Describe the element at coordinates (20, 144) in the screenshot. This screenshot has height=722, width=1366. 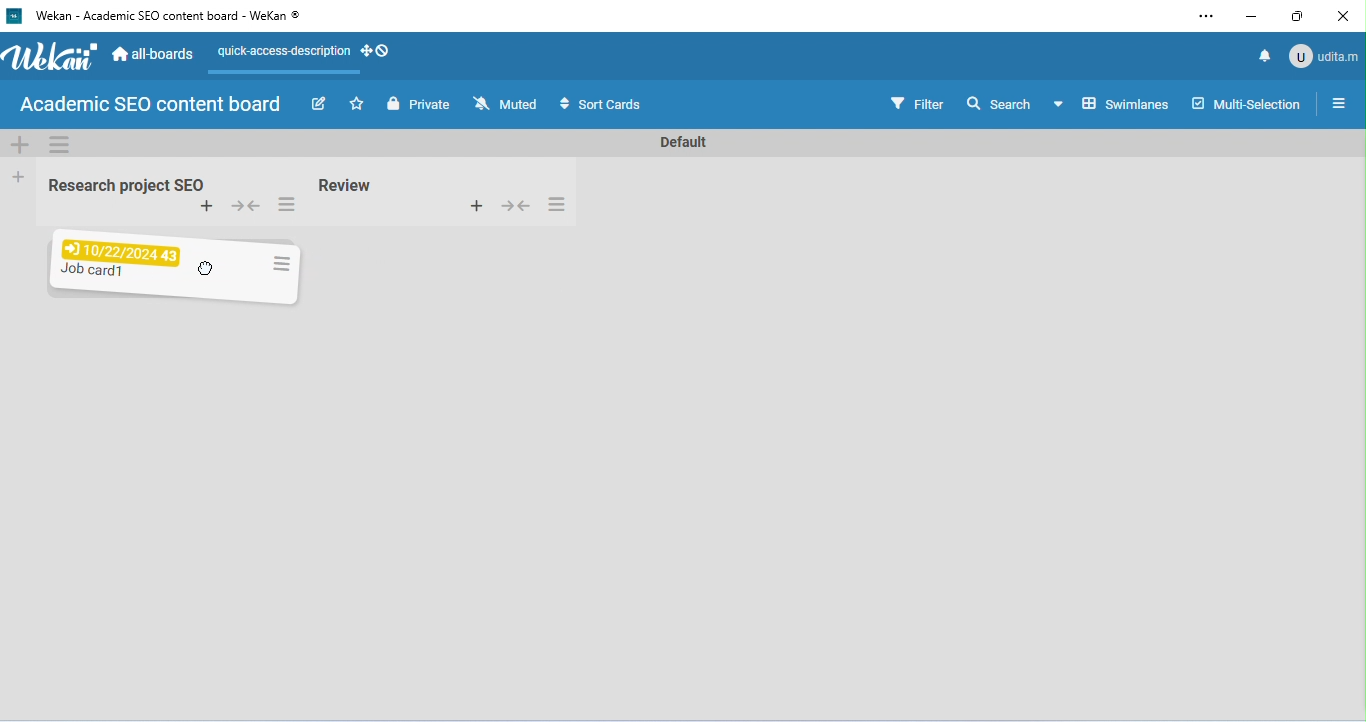
I see `add swimelane` at that location.